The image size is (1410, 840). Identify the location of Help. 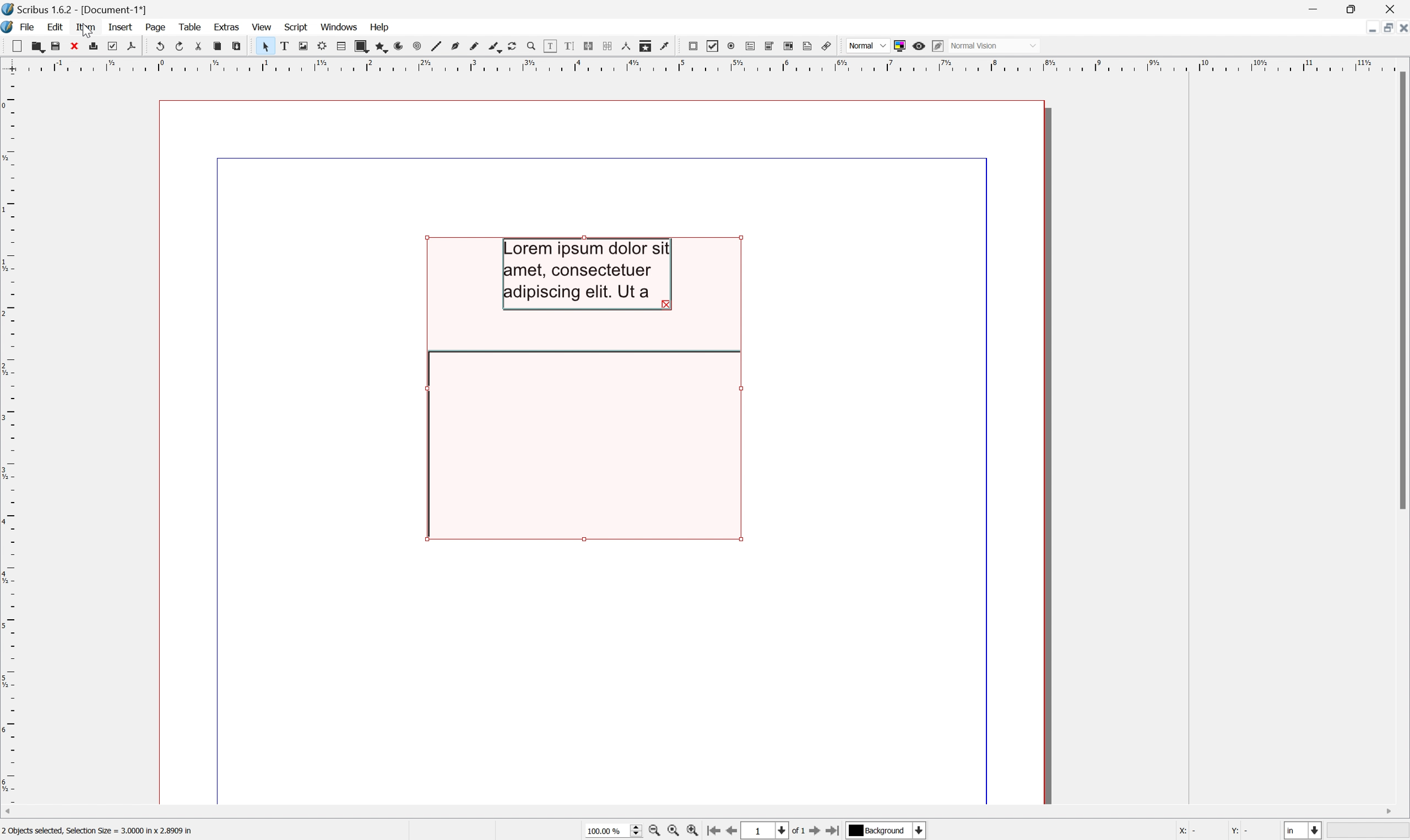
(380, 27).